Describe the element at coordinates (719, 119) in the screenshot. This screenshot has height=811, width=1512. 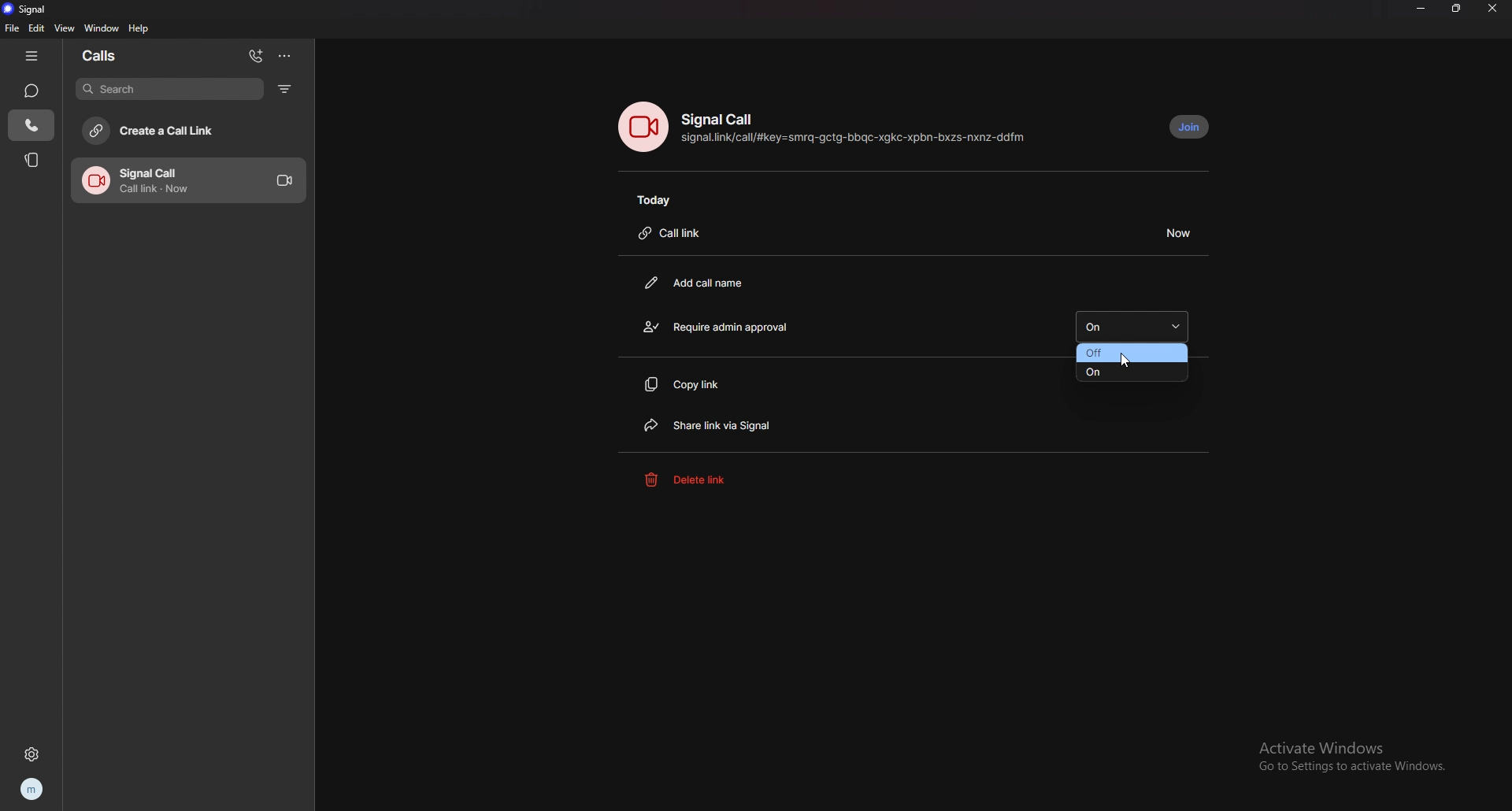
I see `signal call` at that location.